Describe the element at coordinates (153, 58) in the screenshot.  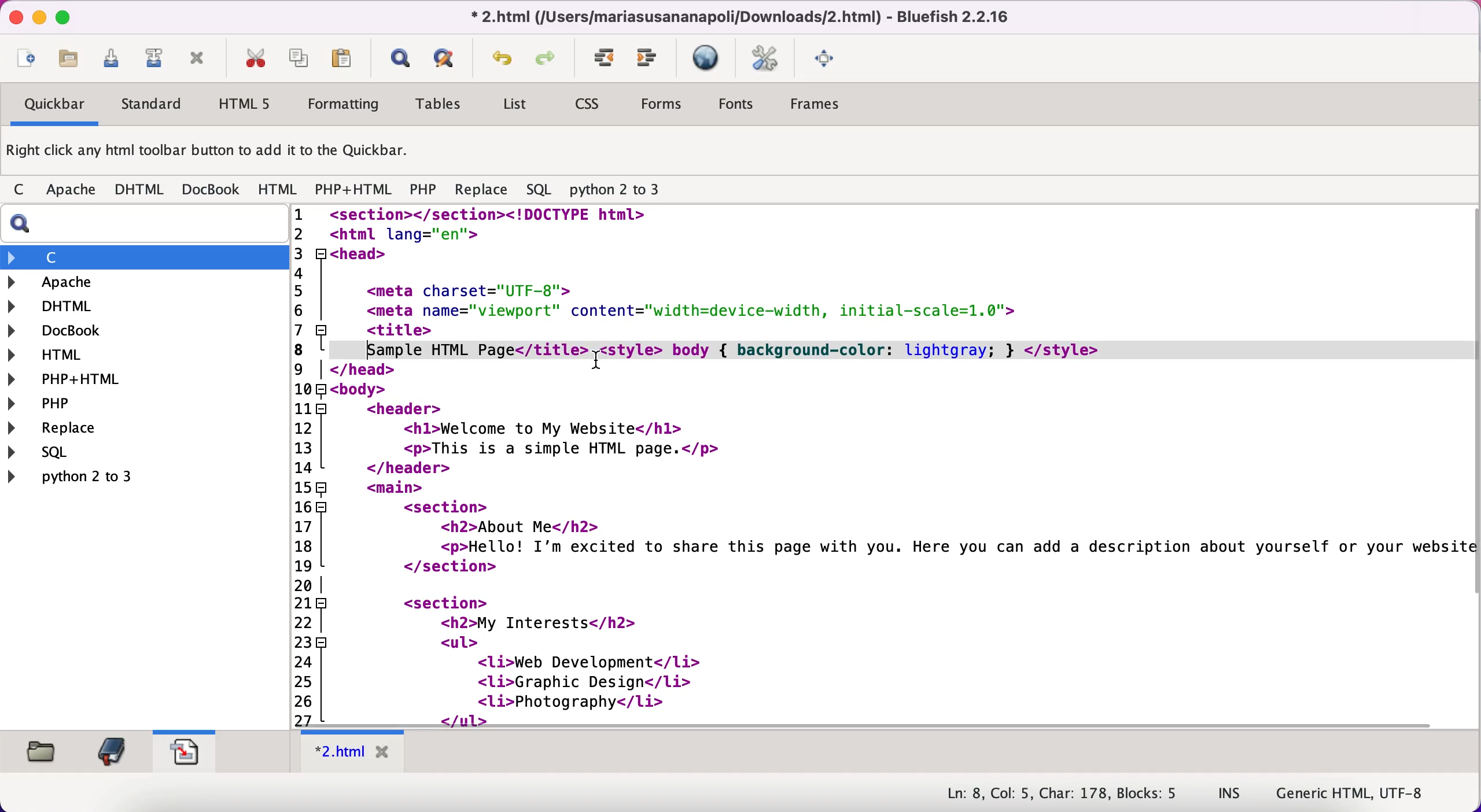
I see `save file as` at that location.